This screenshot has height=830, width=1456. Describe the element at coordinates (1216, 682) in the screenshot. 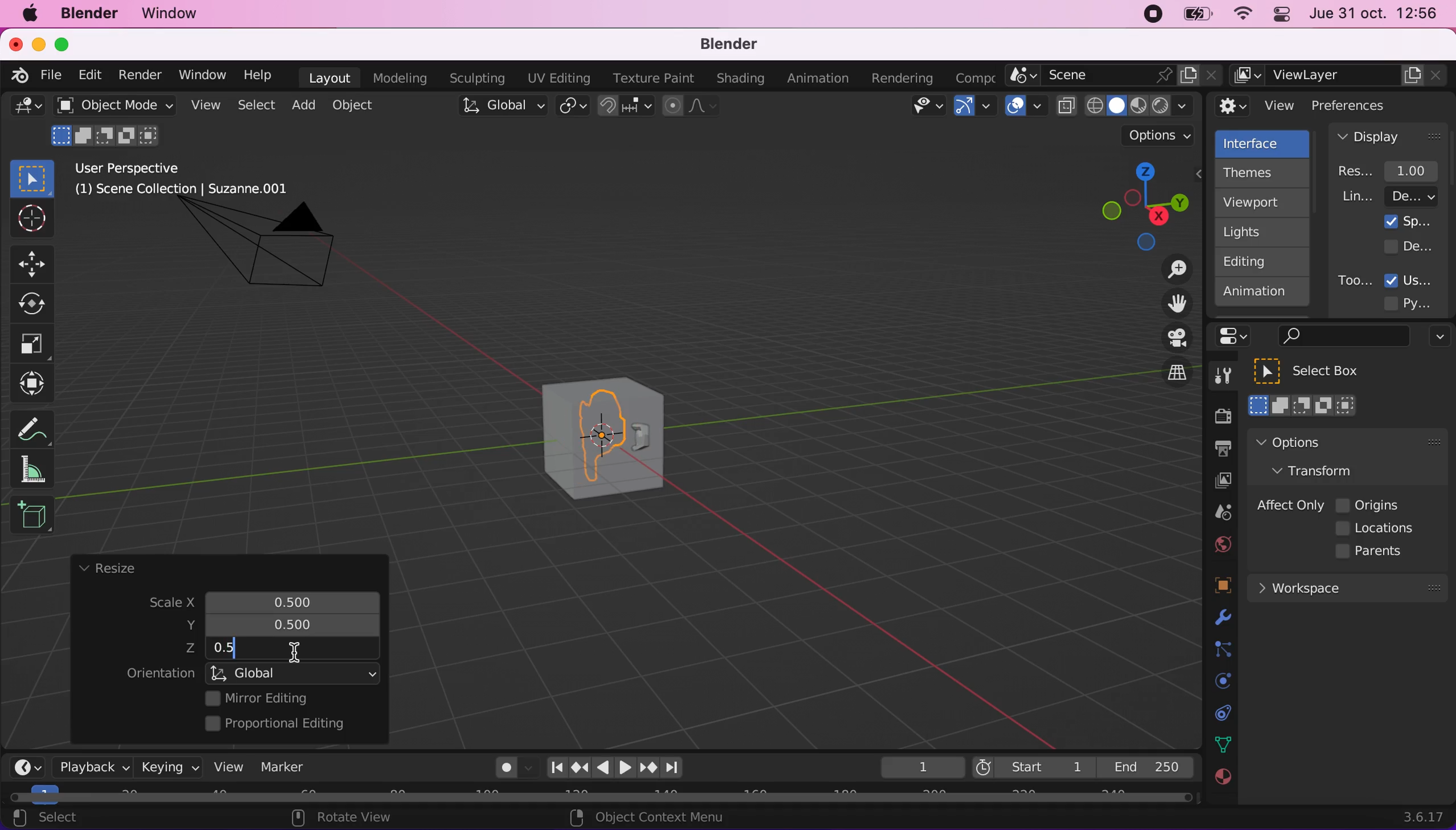

I see `physics prompts` at that location.